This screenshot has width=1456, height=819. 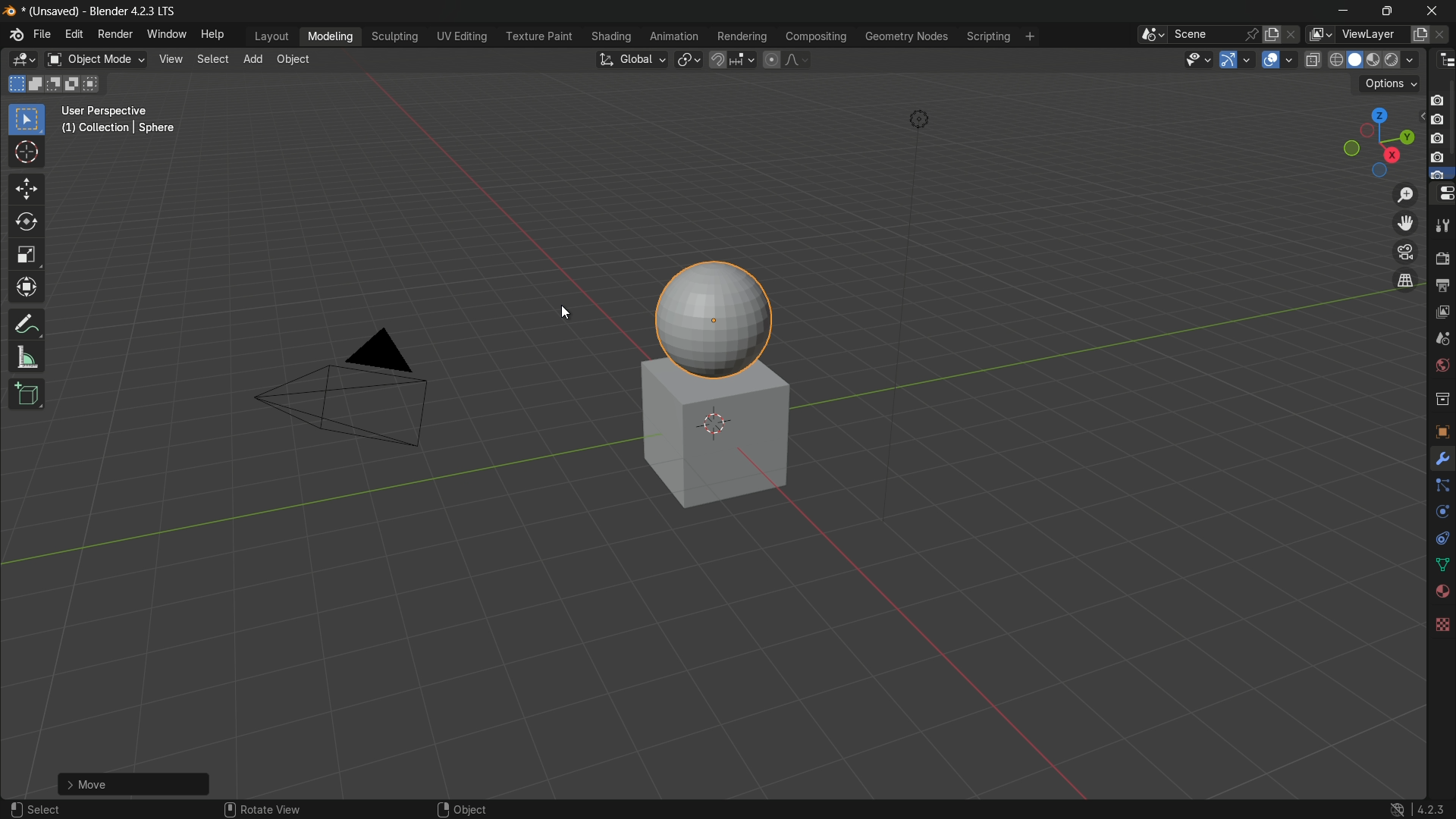 I want to click on new scene, so click(x=1276, y=34).